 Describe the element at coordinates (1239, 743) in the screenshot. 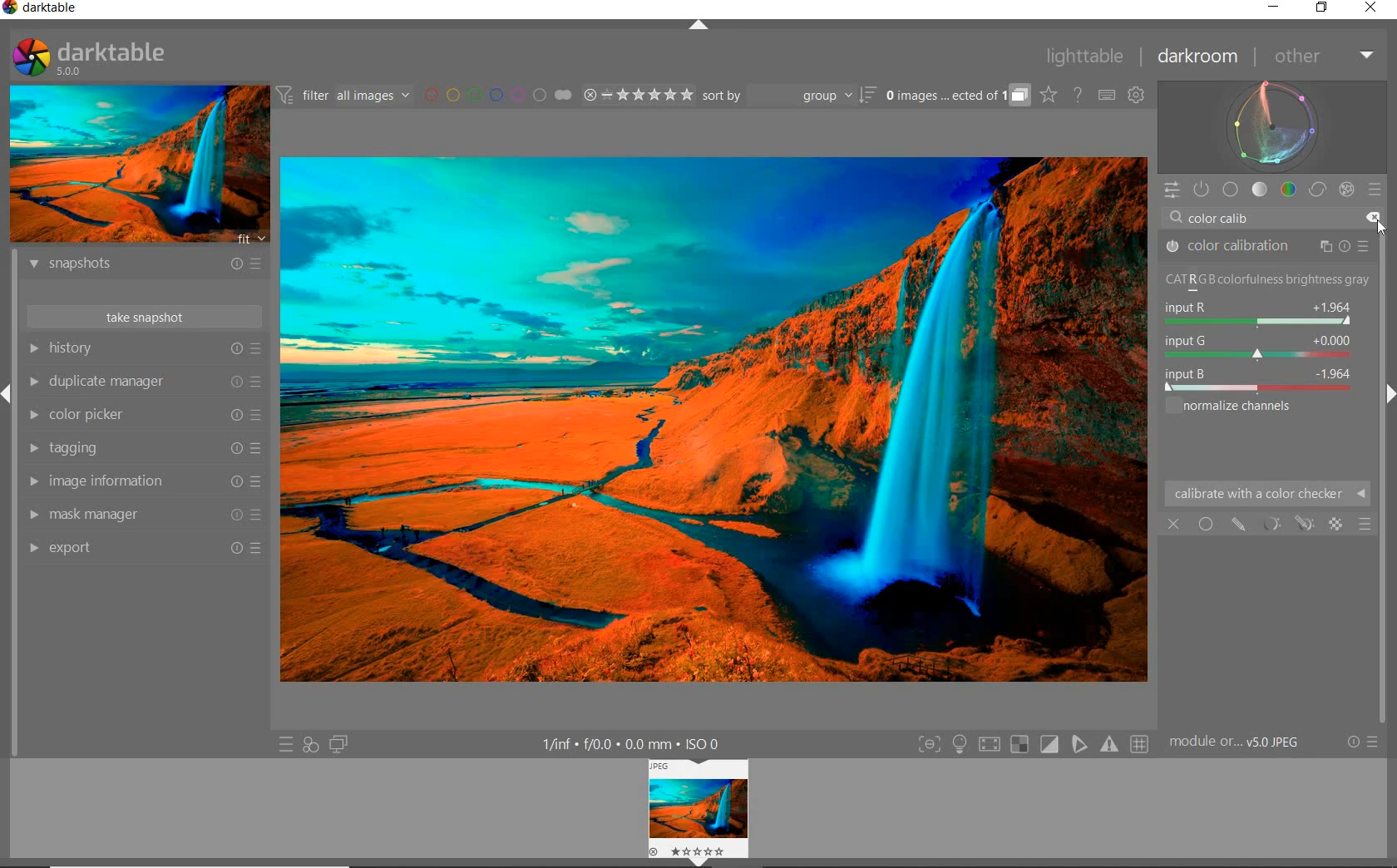

I see `MODULE...v5.0 JPEG` at that location.